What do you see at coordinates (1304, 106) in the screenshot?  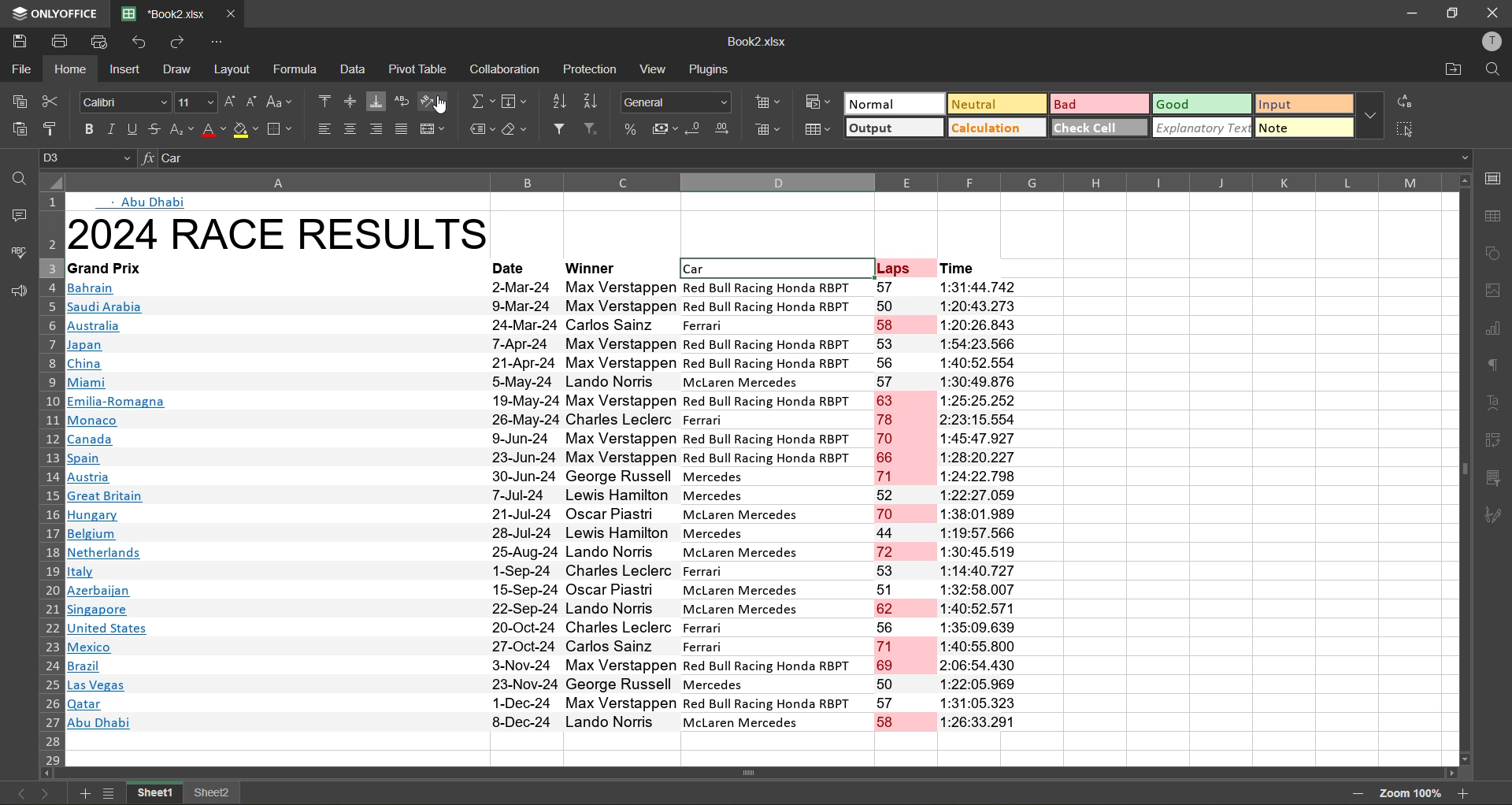 I see `input` at bounding box center [1304, 106].